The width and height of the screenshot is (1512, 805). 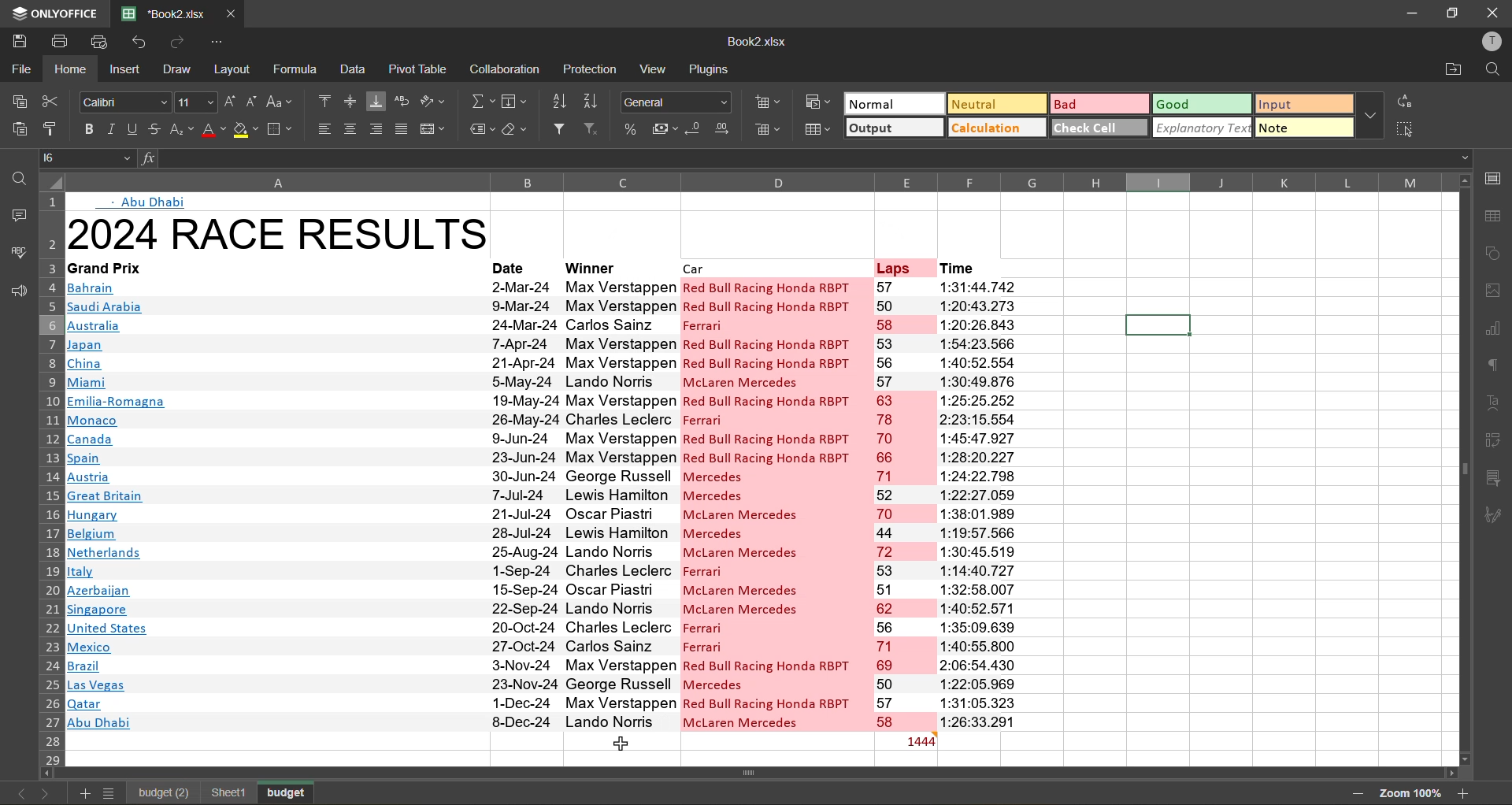 What do you see at coordinates (376, 100) in the screenshot?
I see `align bottom` at bounding box center [376, 100].